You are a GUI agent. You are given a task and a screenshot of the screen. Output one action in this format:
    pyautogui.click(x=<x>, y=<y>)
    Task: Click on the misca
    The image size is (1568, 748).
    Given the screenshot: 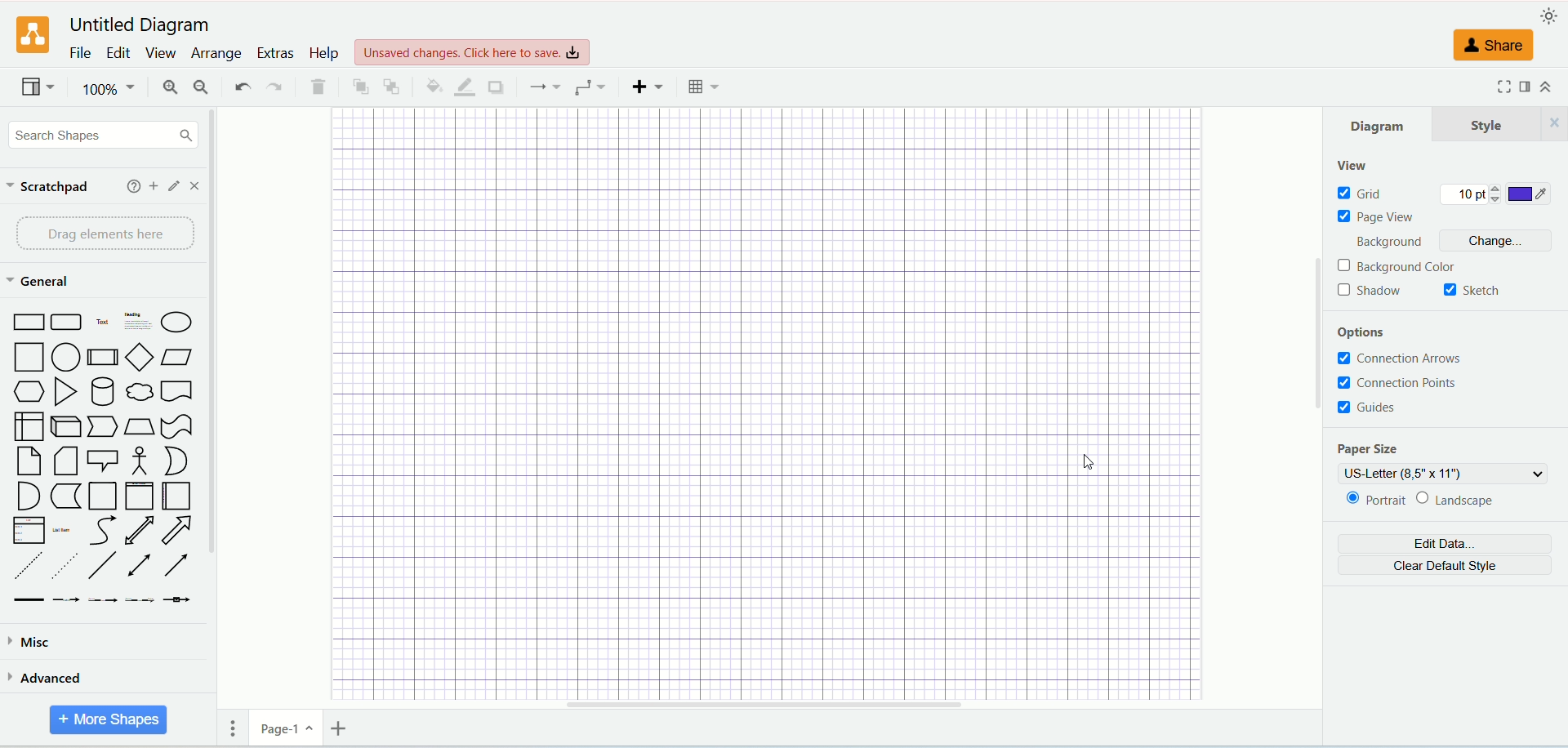 What is the action you would take?
    pyautogui.click(x=33, y=643)
    